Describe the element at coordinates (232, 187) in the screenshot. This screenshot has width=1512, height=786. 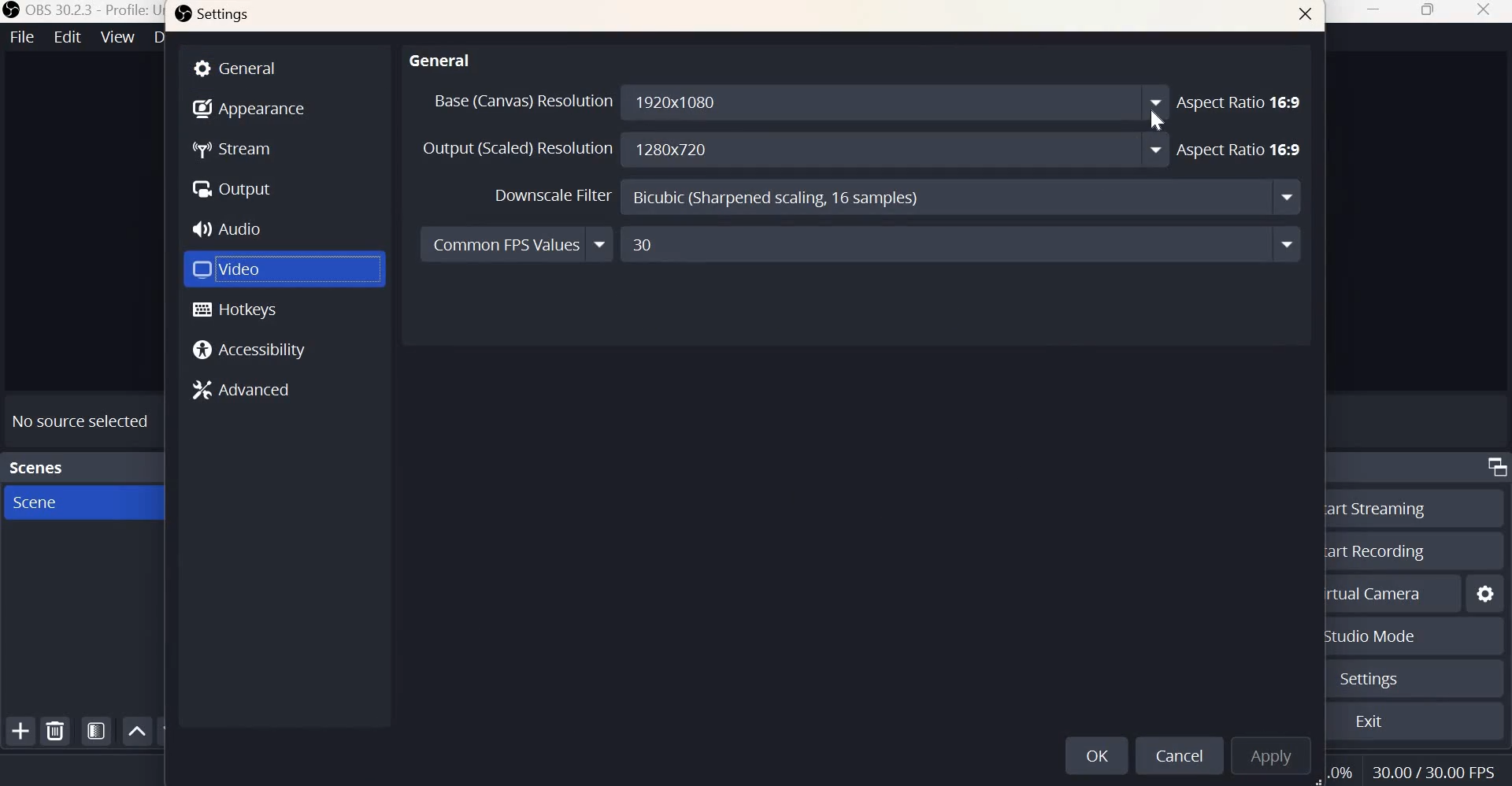
I see `Output` at that location.